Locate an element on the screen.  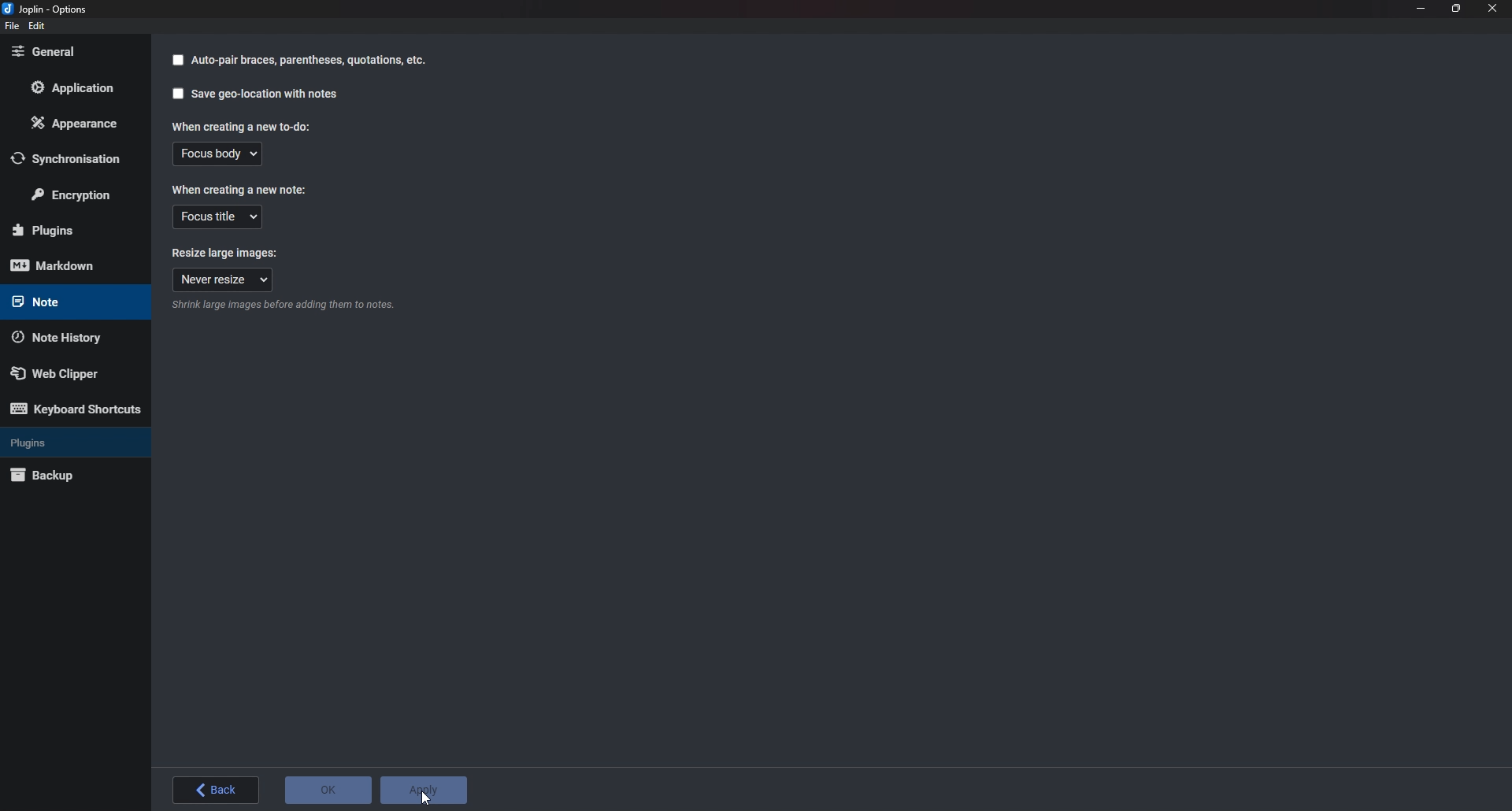
Plugins is located at coordinates (69, 231).